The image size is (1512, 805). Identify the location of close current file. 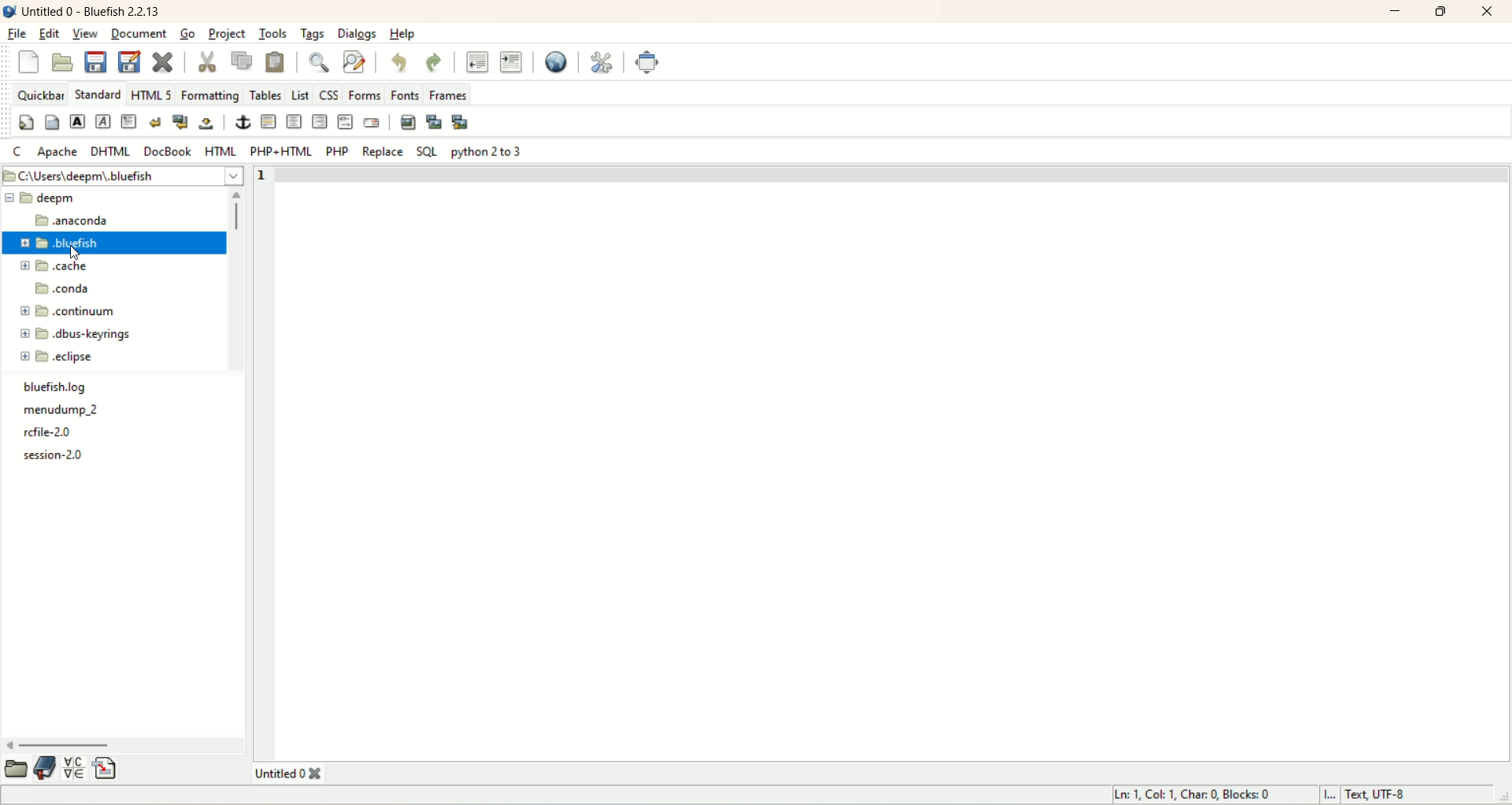
(165, 63).